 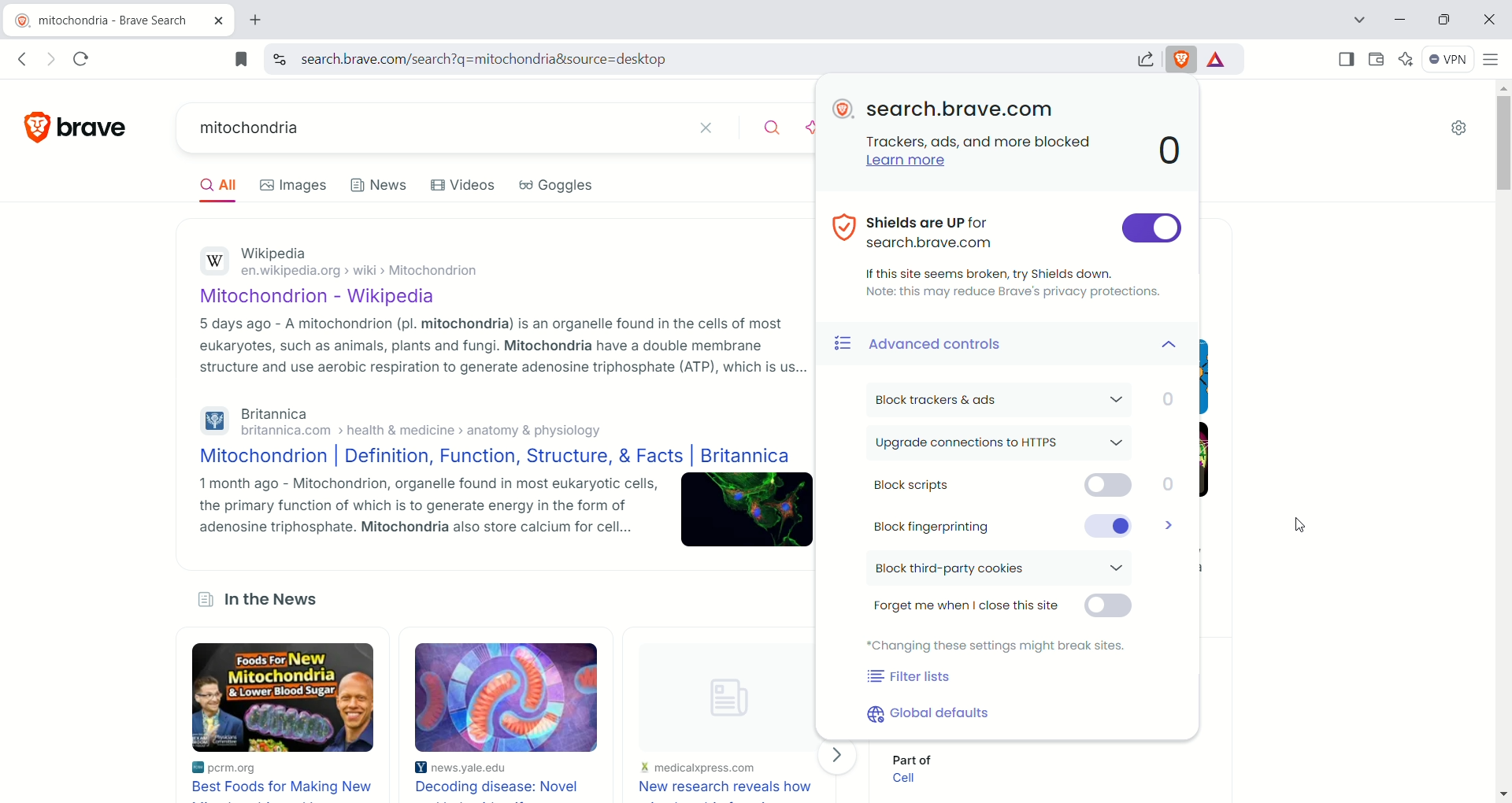 I want to click on block trackers & ads, so click(x=1017, y=399).